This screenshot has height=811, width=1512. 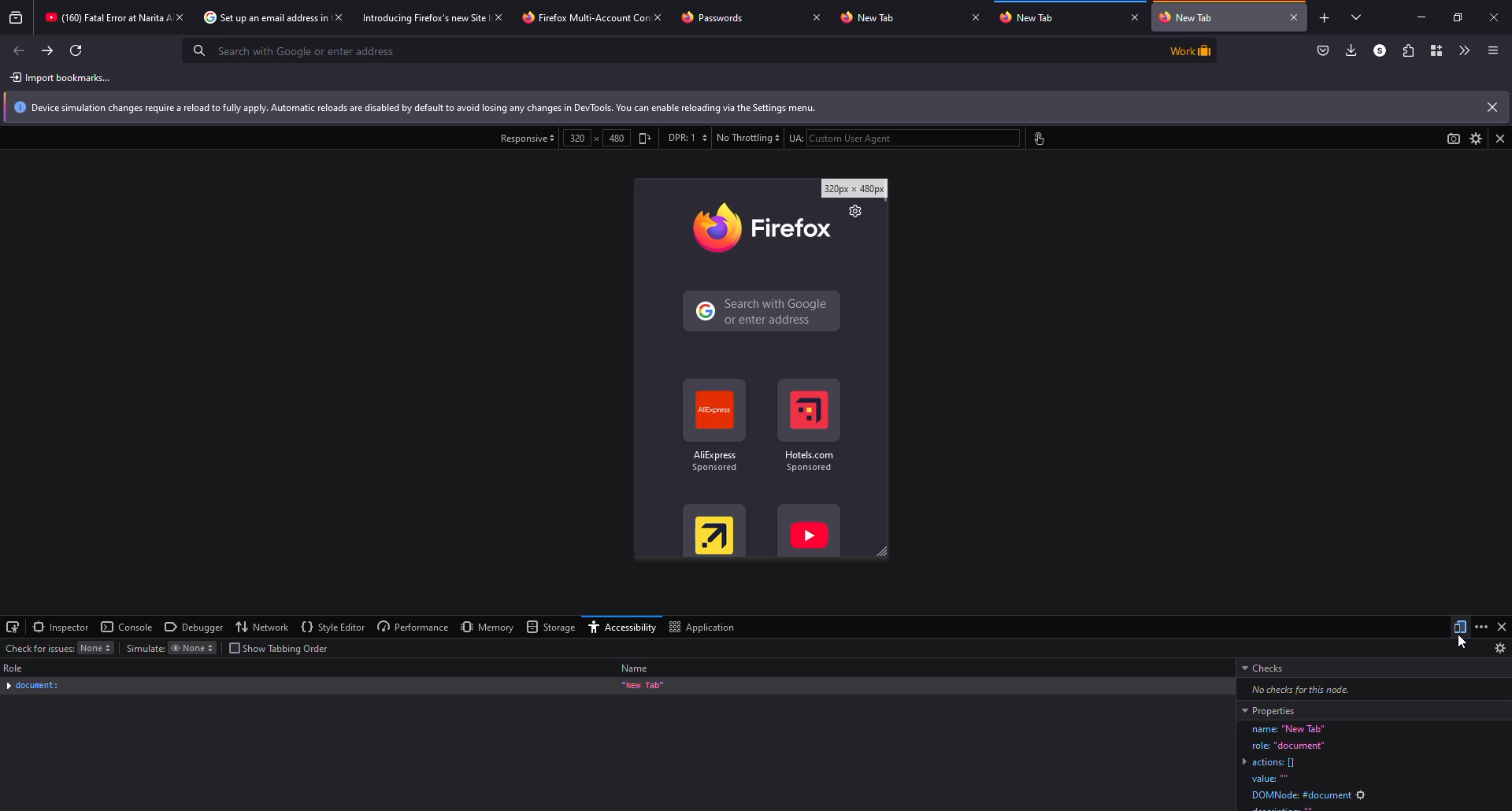 I want to click on tap, so click(x=1037, y=139).